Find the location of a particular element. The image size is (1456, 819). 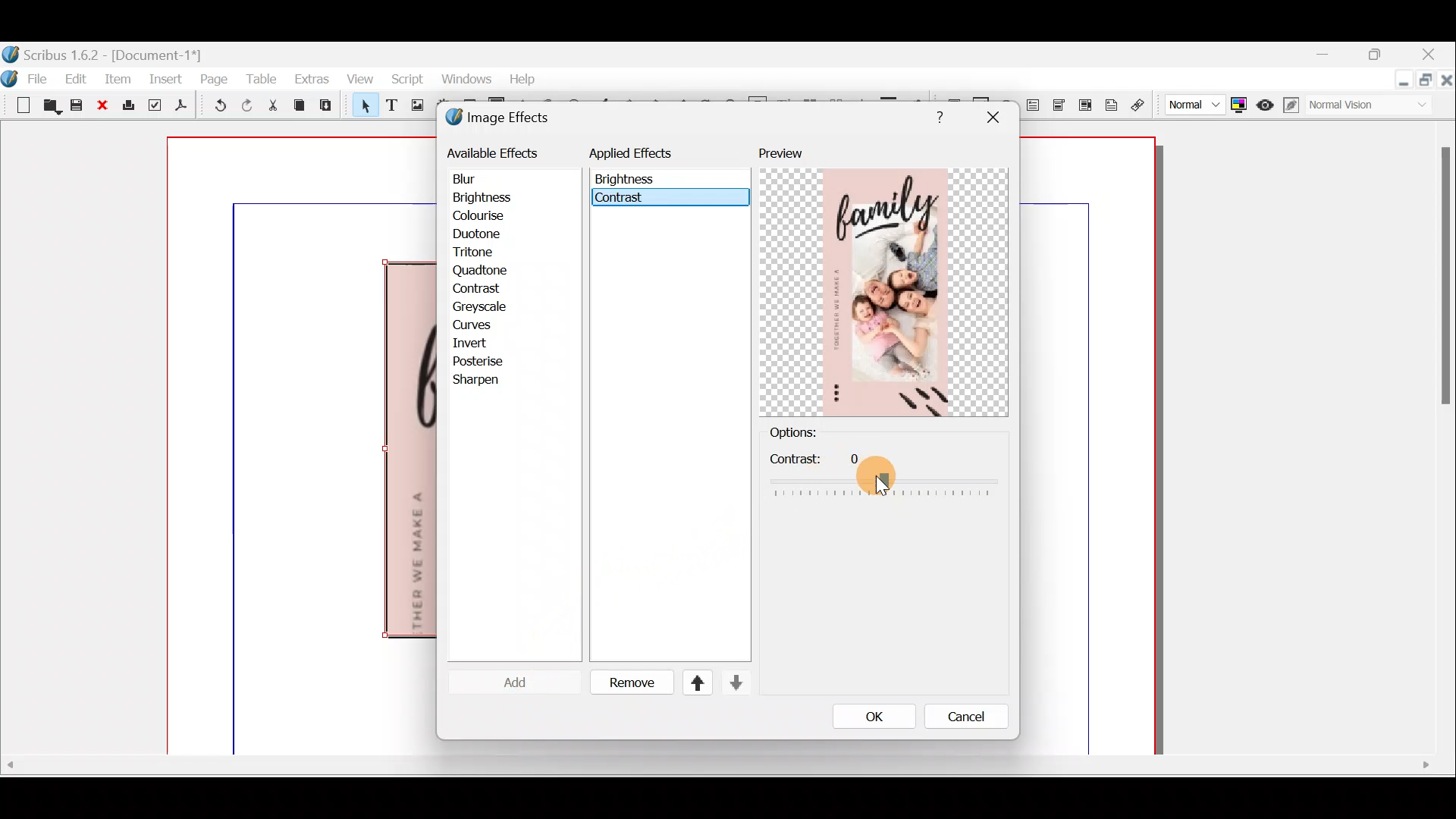

Text annotation is located at coordinates (1111, 103).